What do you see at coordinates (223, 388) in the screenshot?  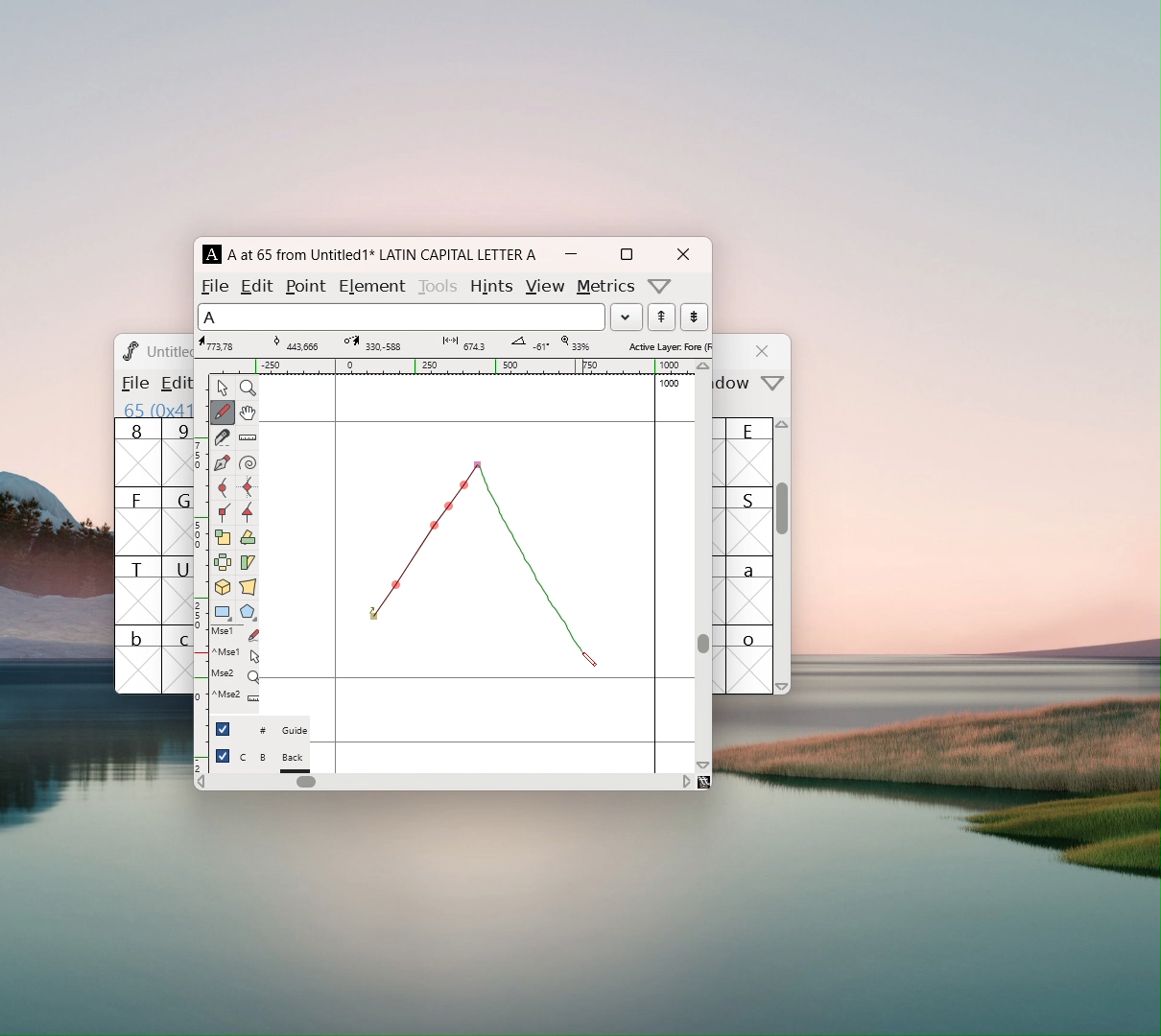 I see `pointer` at bounding box center [223, 388].